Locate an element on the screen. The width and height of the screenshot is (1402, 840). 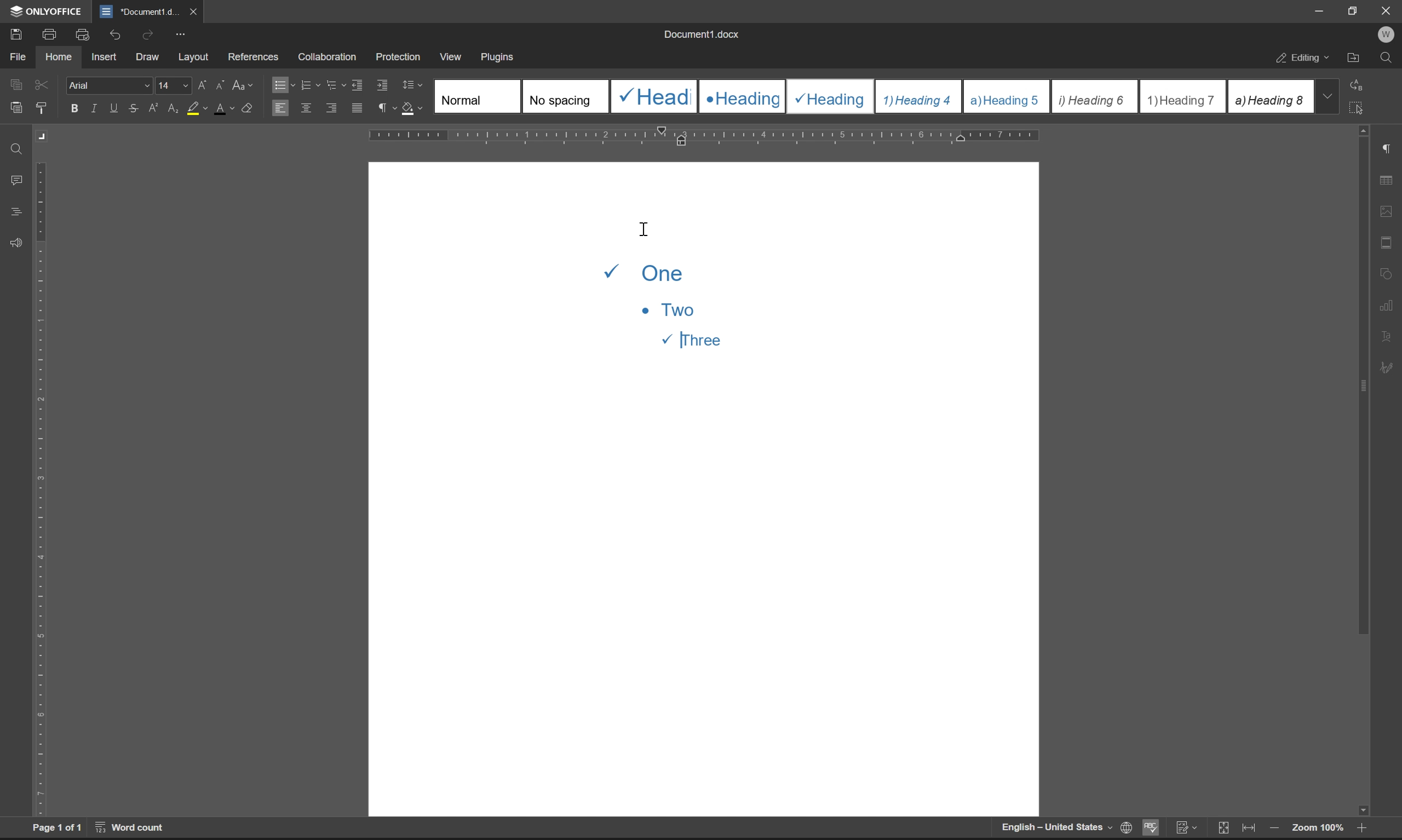
chart settings is located at coordinates (1387, 302).